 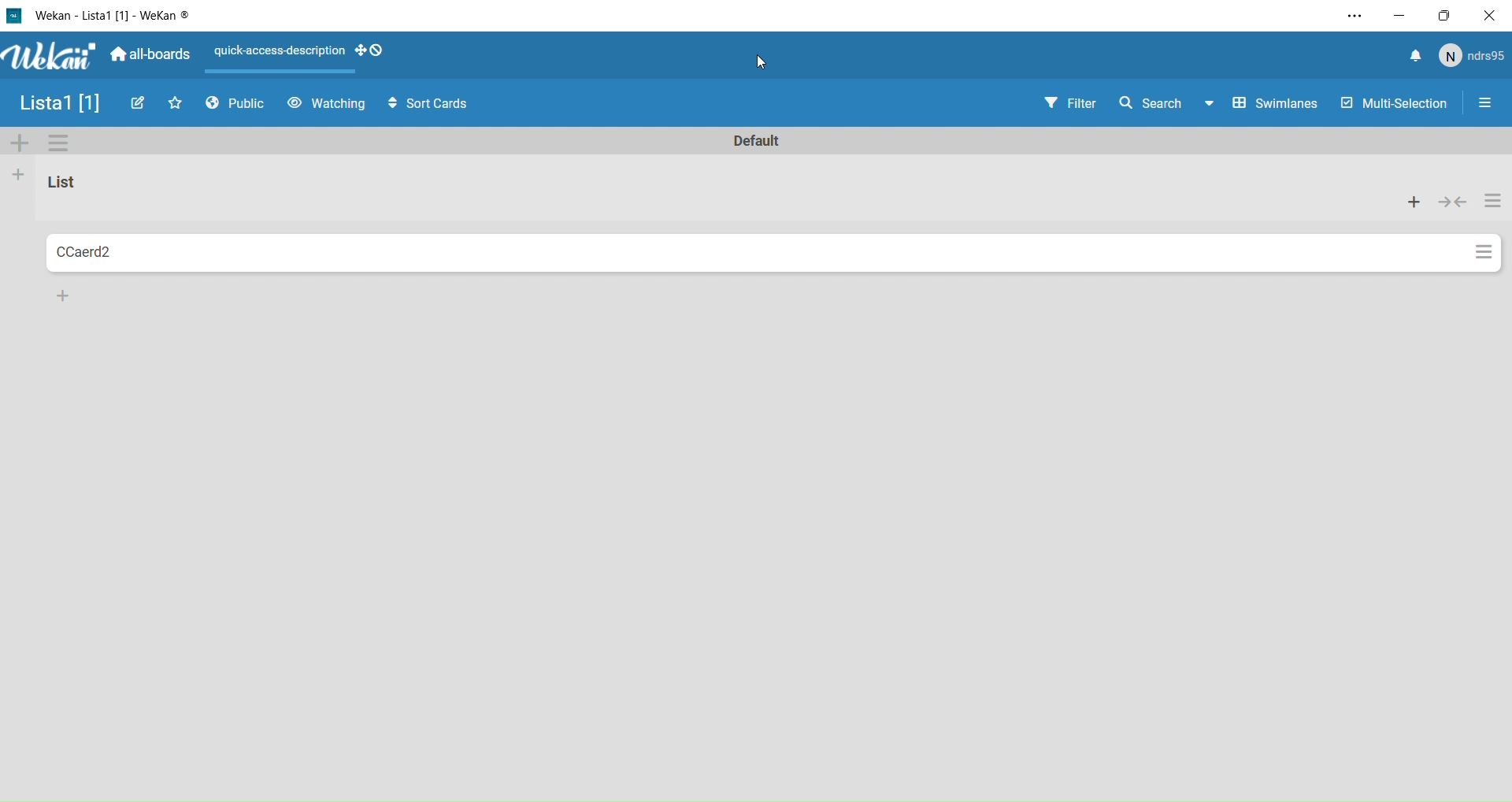 I want to click on Edit, so click(x=139, y=104).